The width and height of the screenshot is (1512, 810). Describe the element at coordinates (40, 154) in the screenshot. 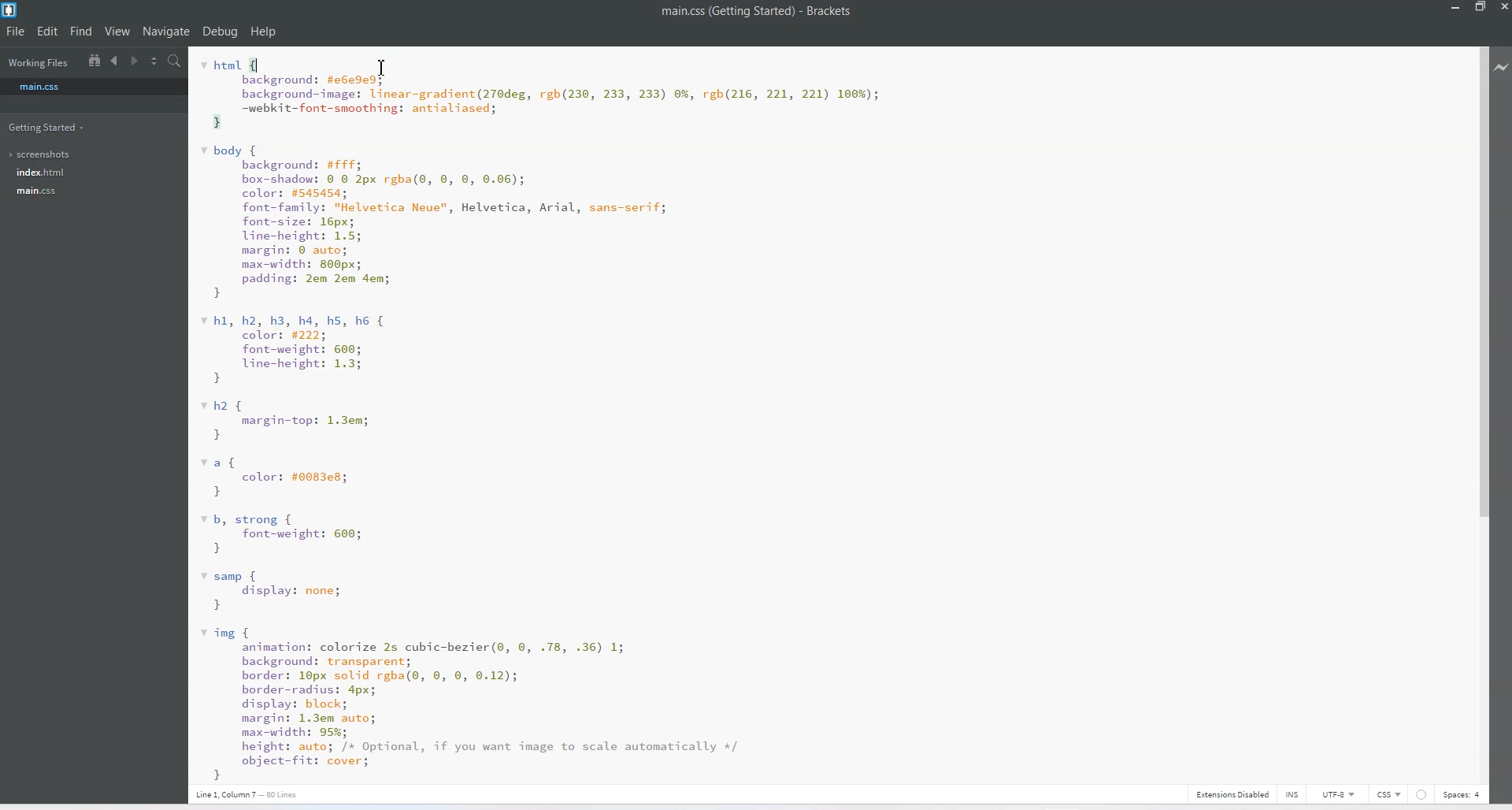

I see `screenshots` at that location.